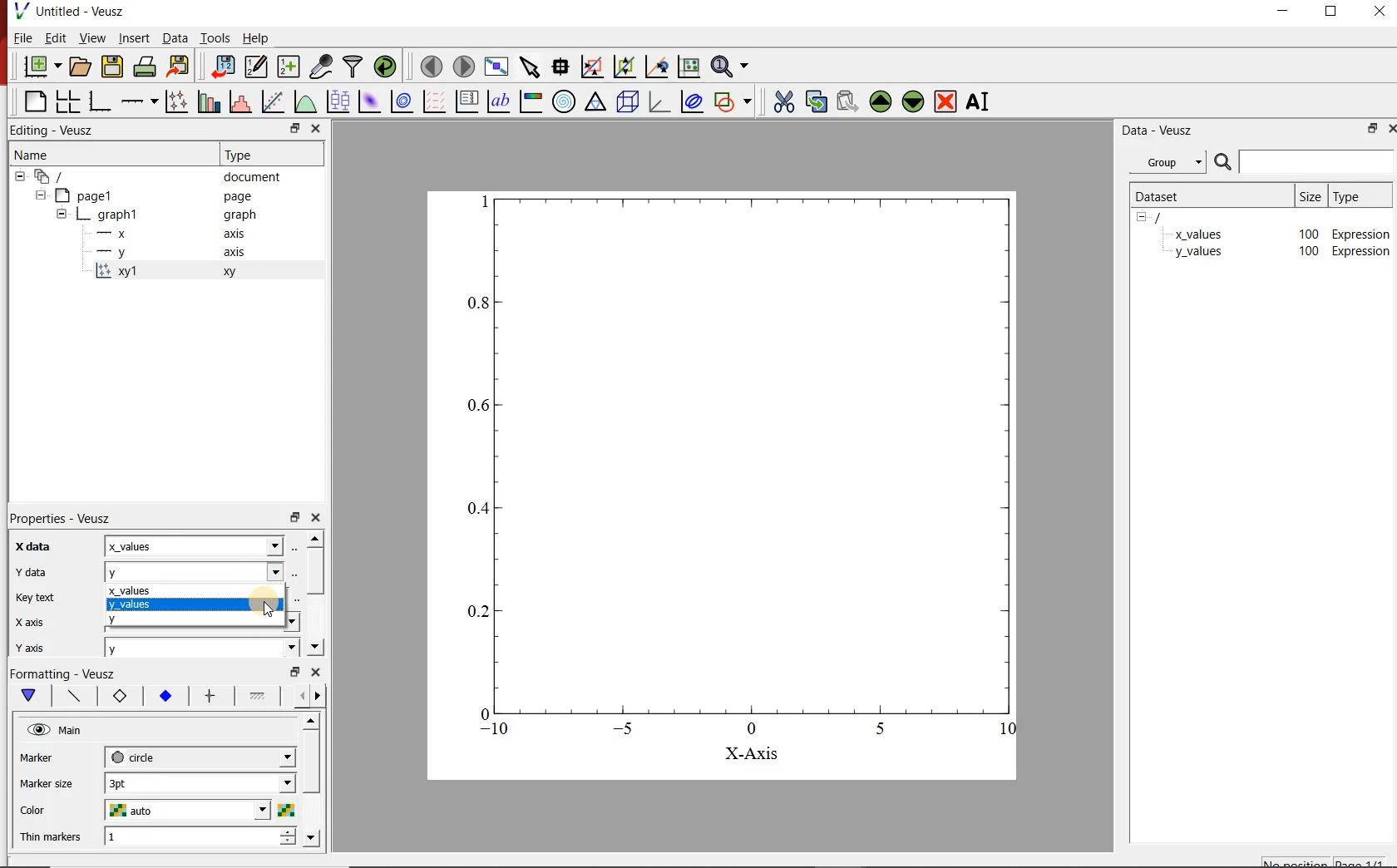 This screenshot has width=1397, height=868. I want to click on move down, so click(312, 837).